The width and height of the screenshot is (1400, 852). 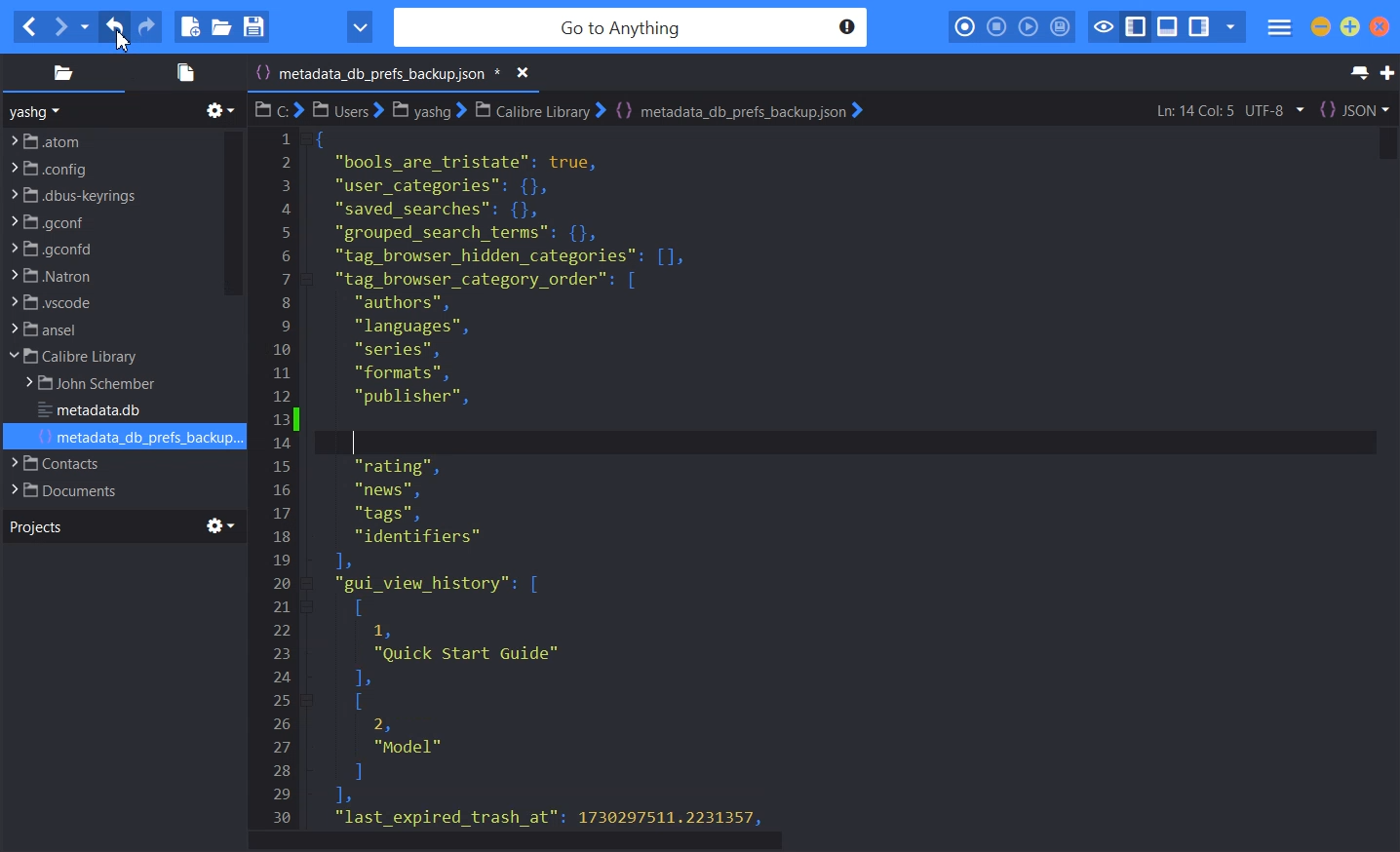 What do you see at coordinates (108, 249) in the screenshot?
I see `File` at bounding box center [108, 249].